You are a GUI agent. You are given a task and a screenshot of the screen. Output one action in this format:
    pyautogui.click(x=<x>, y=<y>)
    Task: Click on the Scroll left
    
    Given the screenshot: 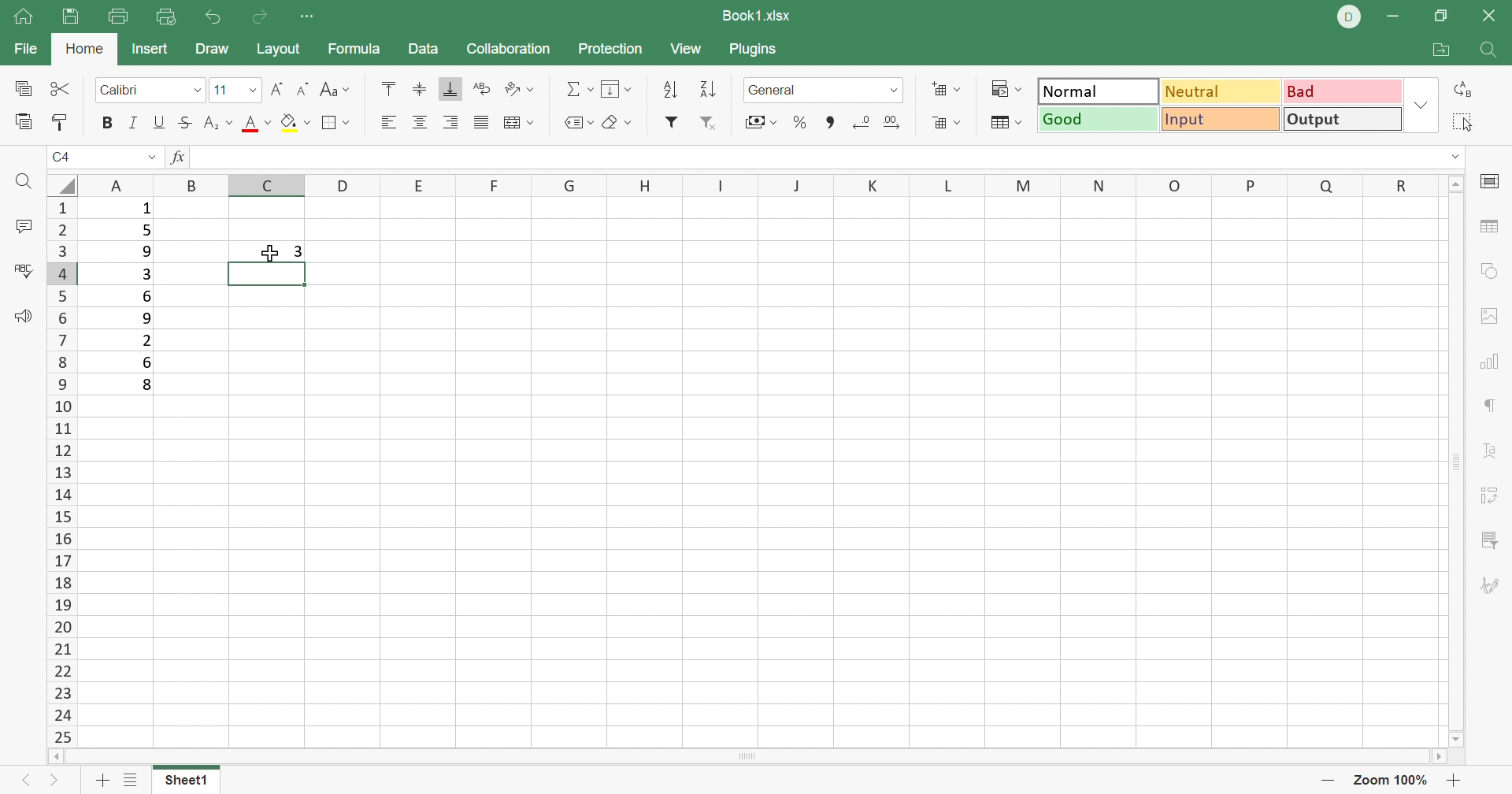 What is the action you would take?
    pyautogui.click(x=54, y=755)
    